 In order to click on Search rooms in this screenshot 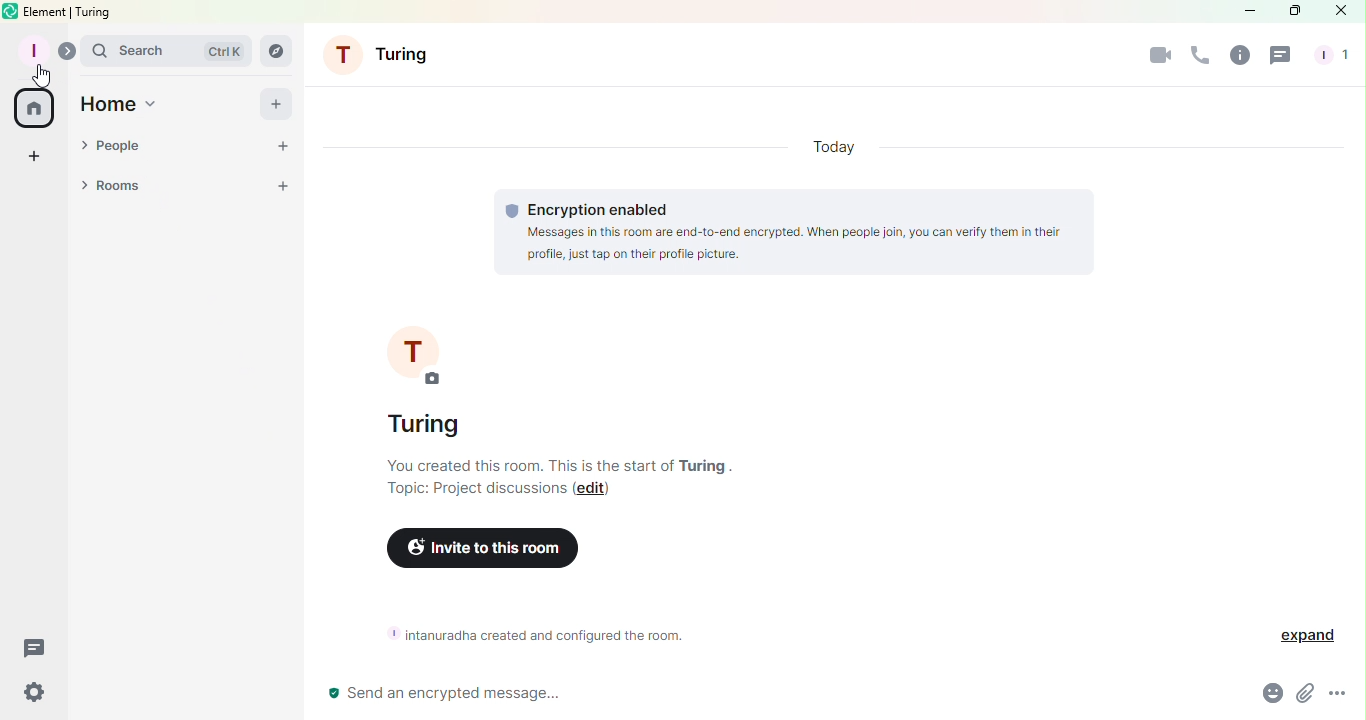, I will do `click(280, 53)`.